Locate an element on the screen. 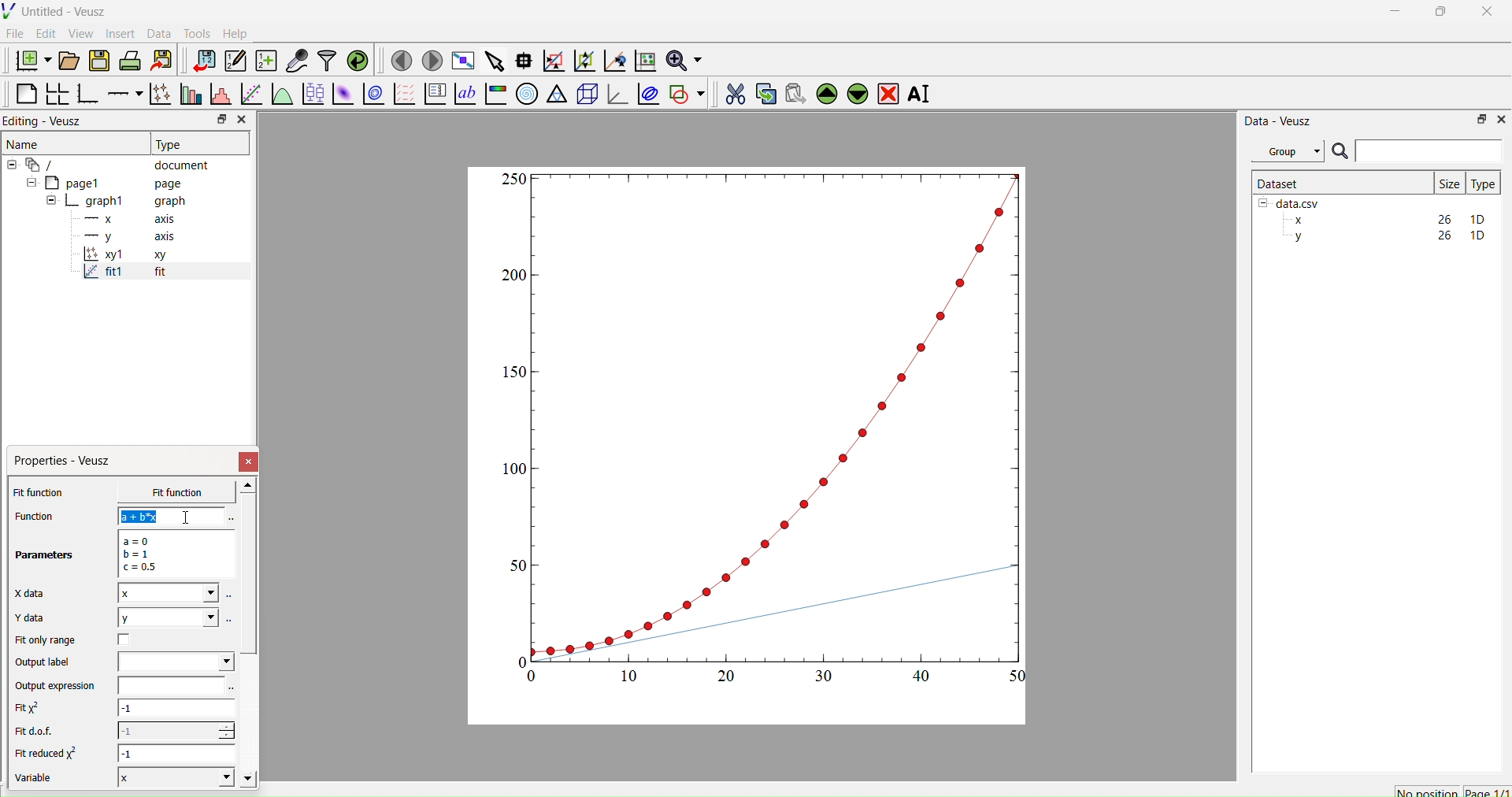 This screenshot has height=797, width=1512. Plot a 2d dataset as contours is located at coordinates (372, 95).